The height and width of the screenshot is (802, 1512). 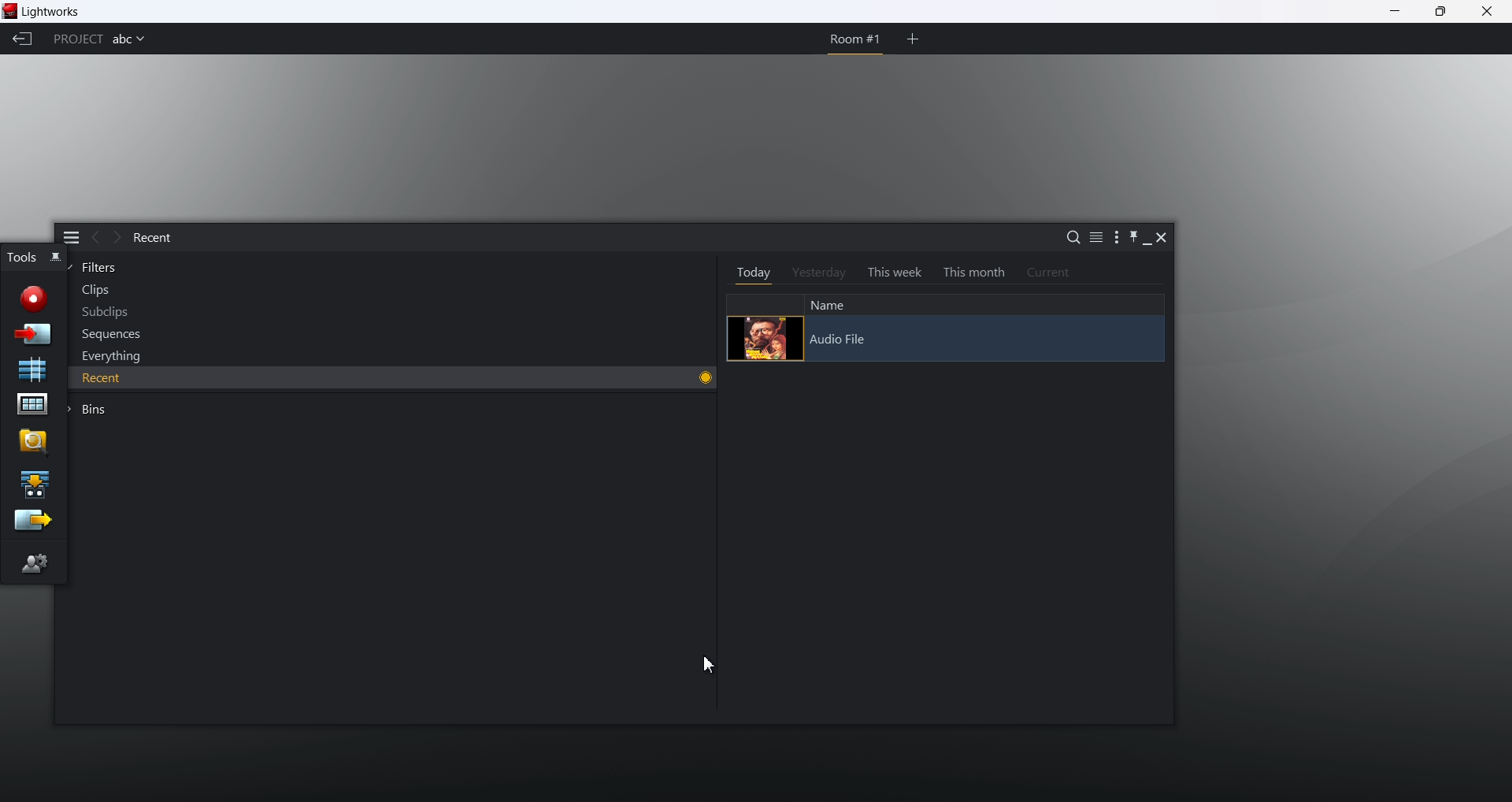 What do you see at coordinates (913, 39) in the screenshot?
I see `add room` at bounding box center [913, 39].